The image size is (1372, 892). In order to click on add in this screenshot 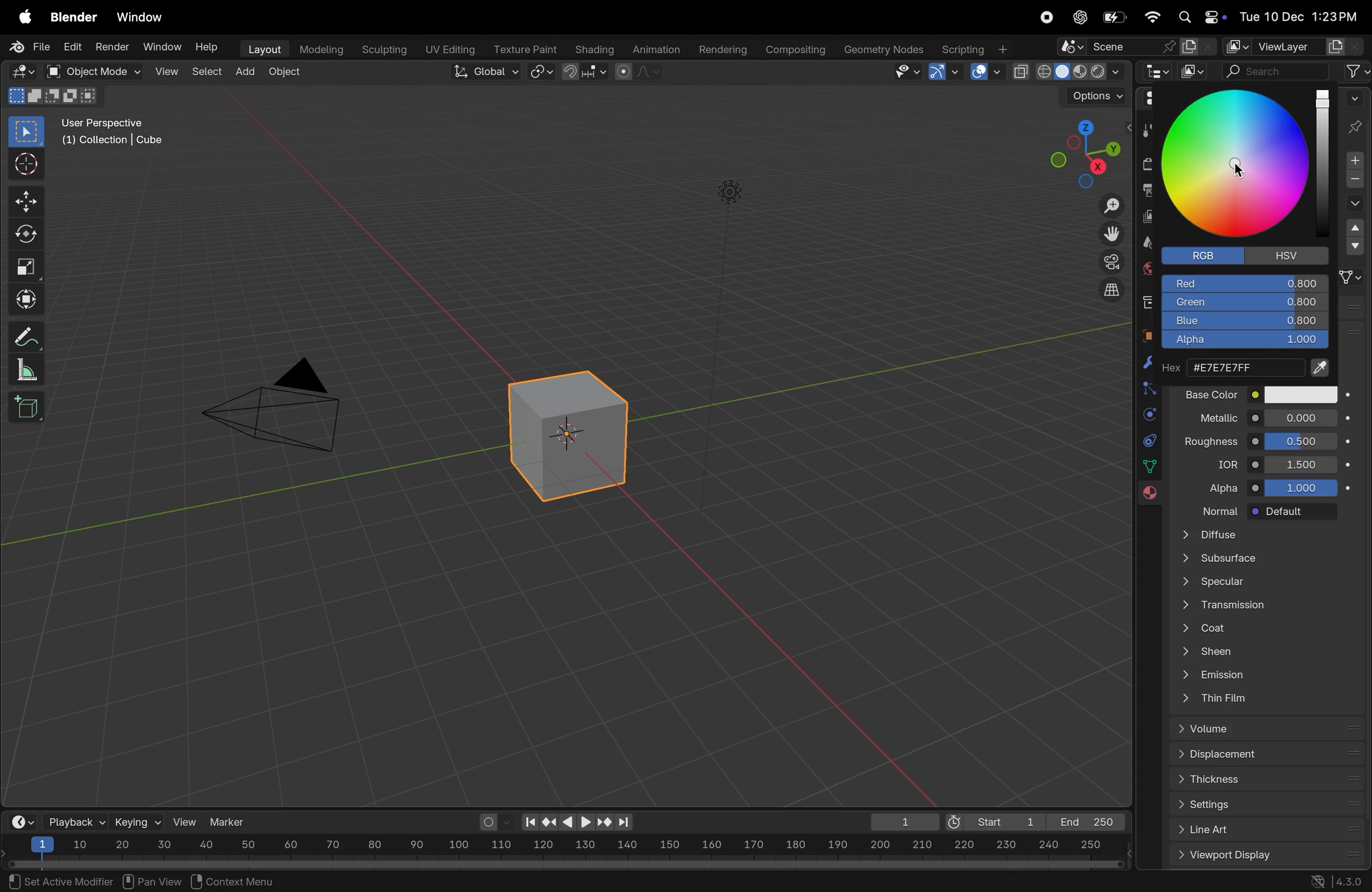, I will do `click(246, 69)`.